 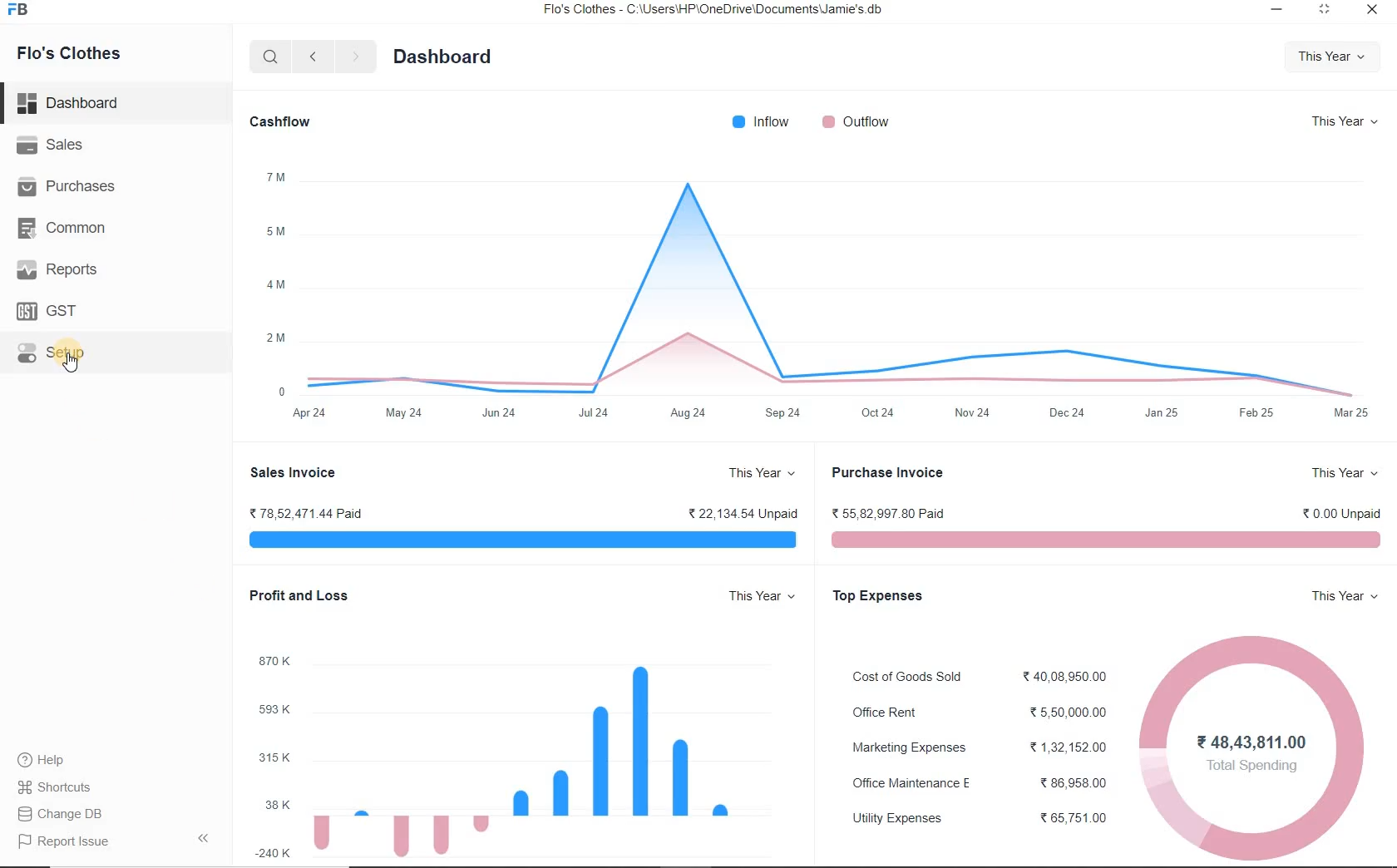 I want to click on 78,52,471.44 Paid, so click(x=304, y=514).